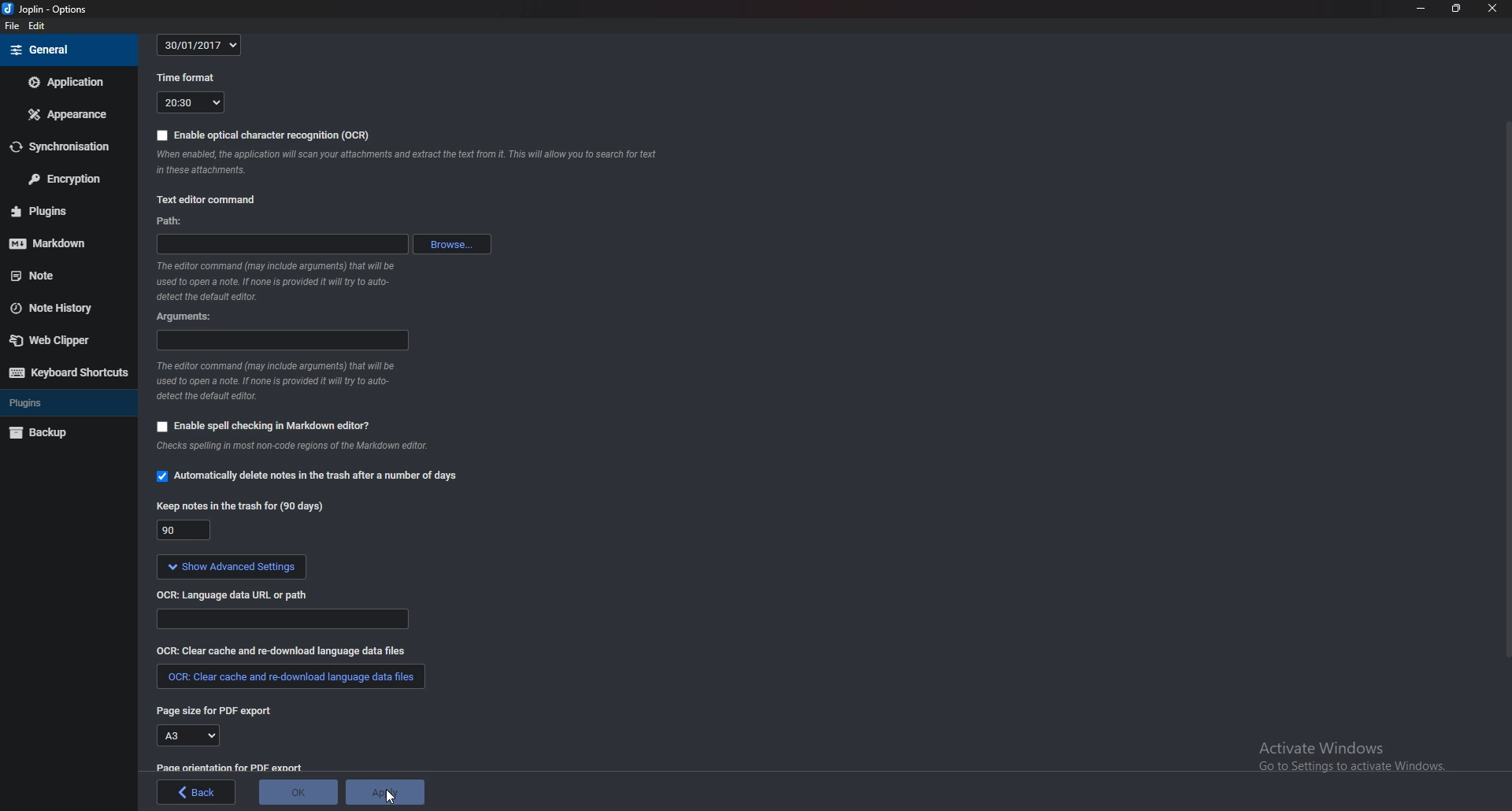  I want to click on Enable spell checking, so click(265, 427).